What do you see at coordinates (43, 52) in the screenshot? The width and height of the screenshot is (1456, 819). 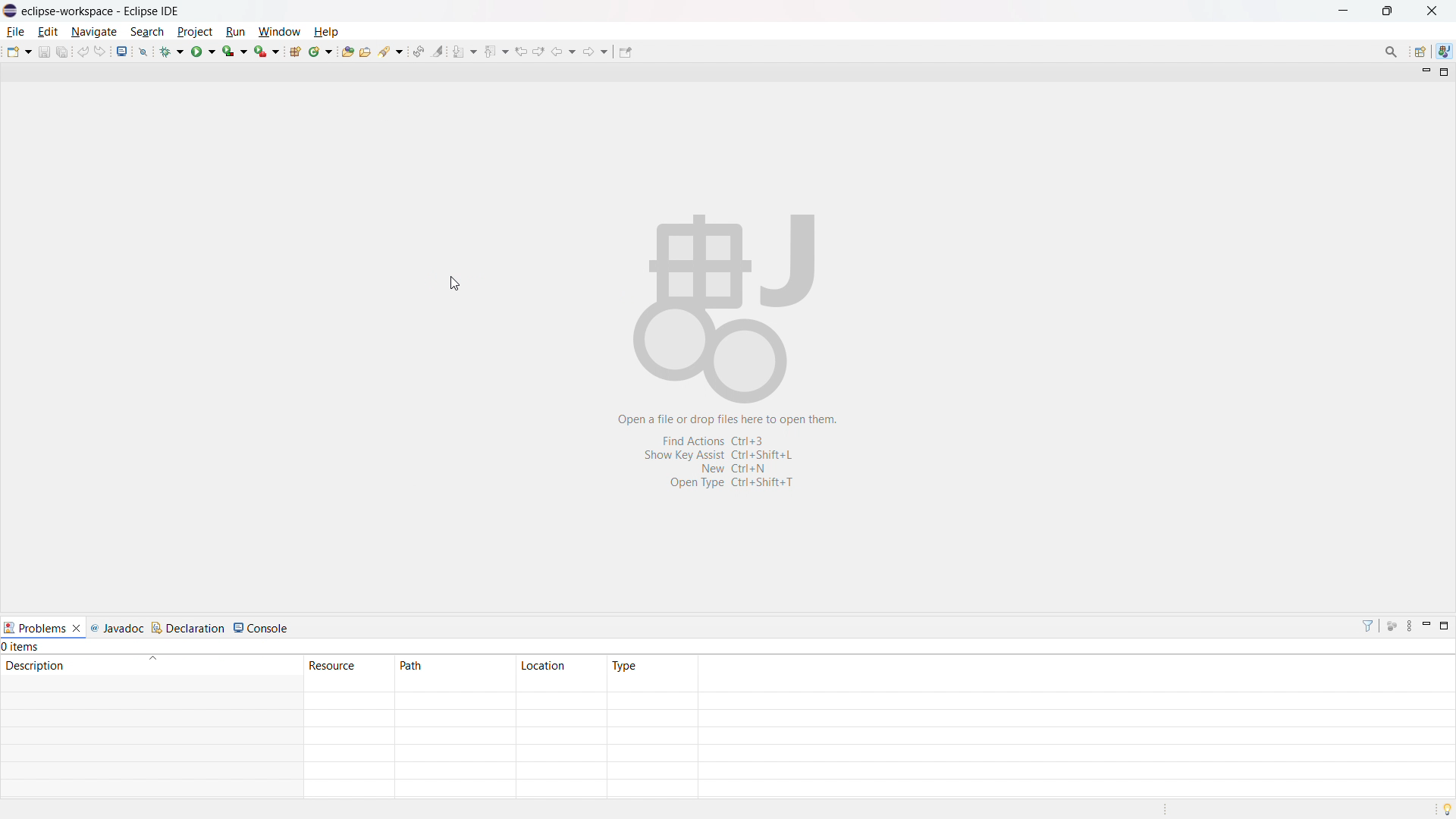 I see `save` at bounding box center [43, 52].